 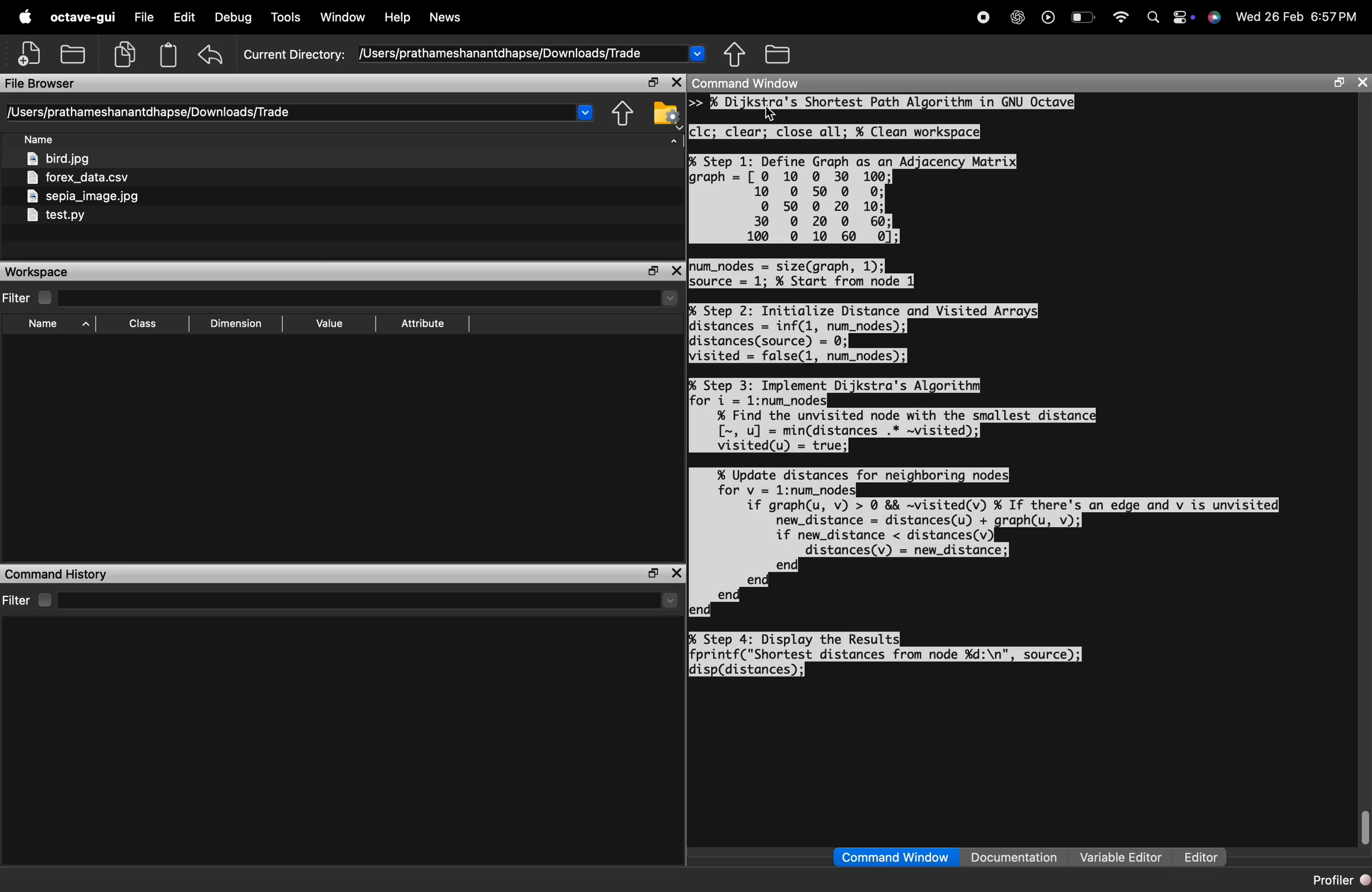 What do you see at coordinates (185, 17) in the screenshot?
I see `edit` at bounding box center [185, 17].